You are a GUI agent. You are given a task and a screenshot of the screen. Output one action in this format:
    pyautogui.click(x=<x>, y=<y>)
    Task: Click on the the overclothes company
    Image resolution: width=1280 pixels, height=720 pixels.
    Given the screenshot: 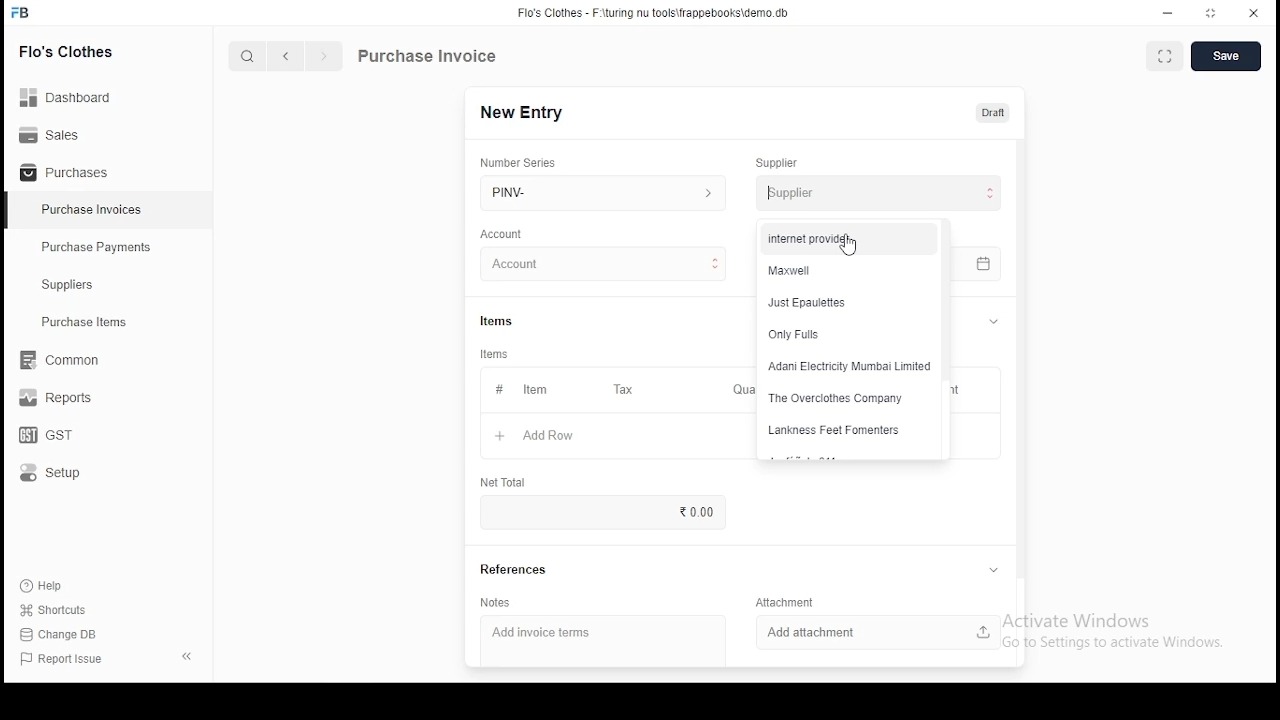 What is the action you would take?
    pyautogui.click(x=843, y=398)
    